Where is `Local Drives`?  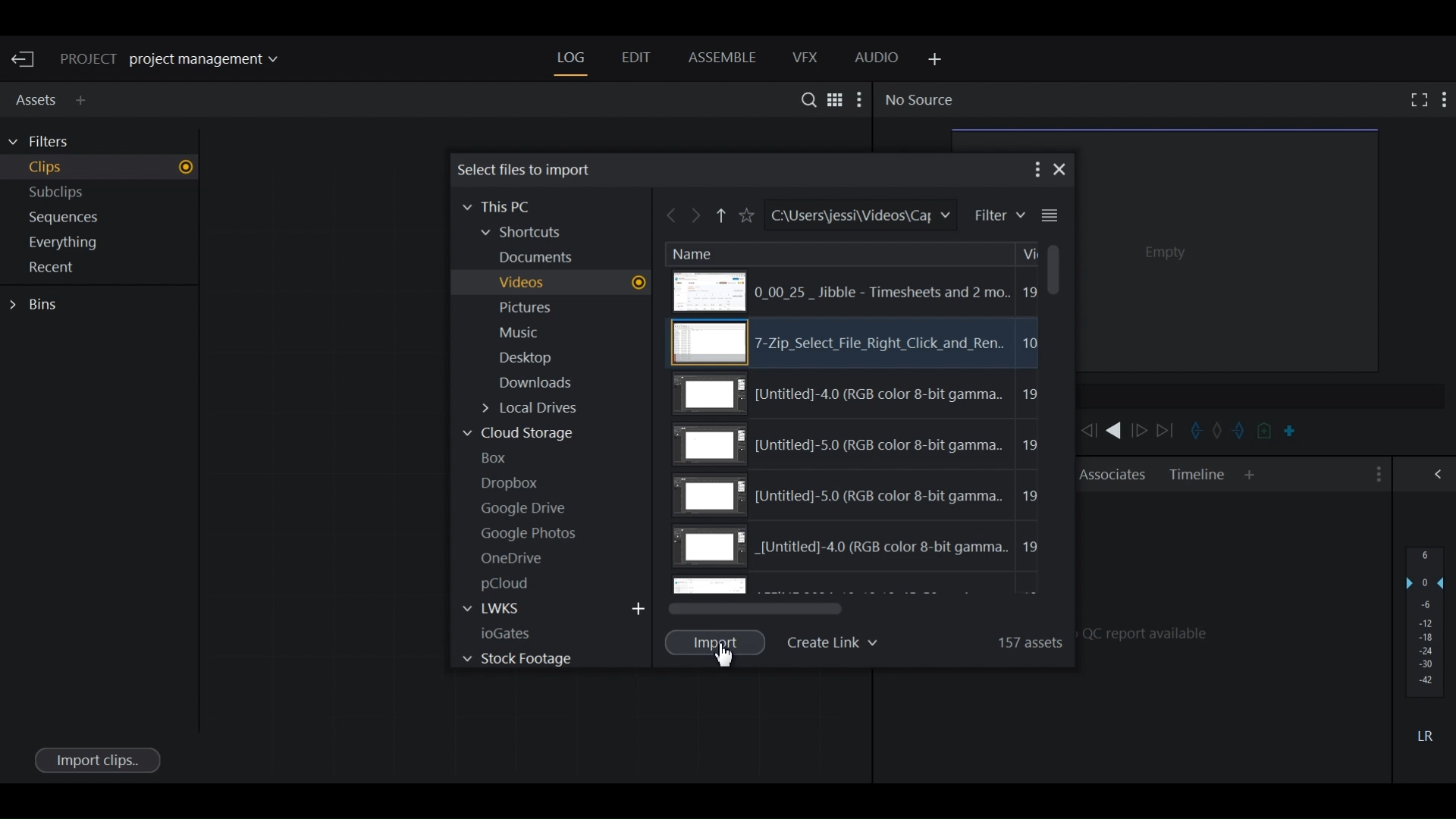 Local Drives is located at coordinates (543, 410).